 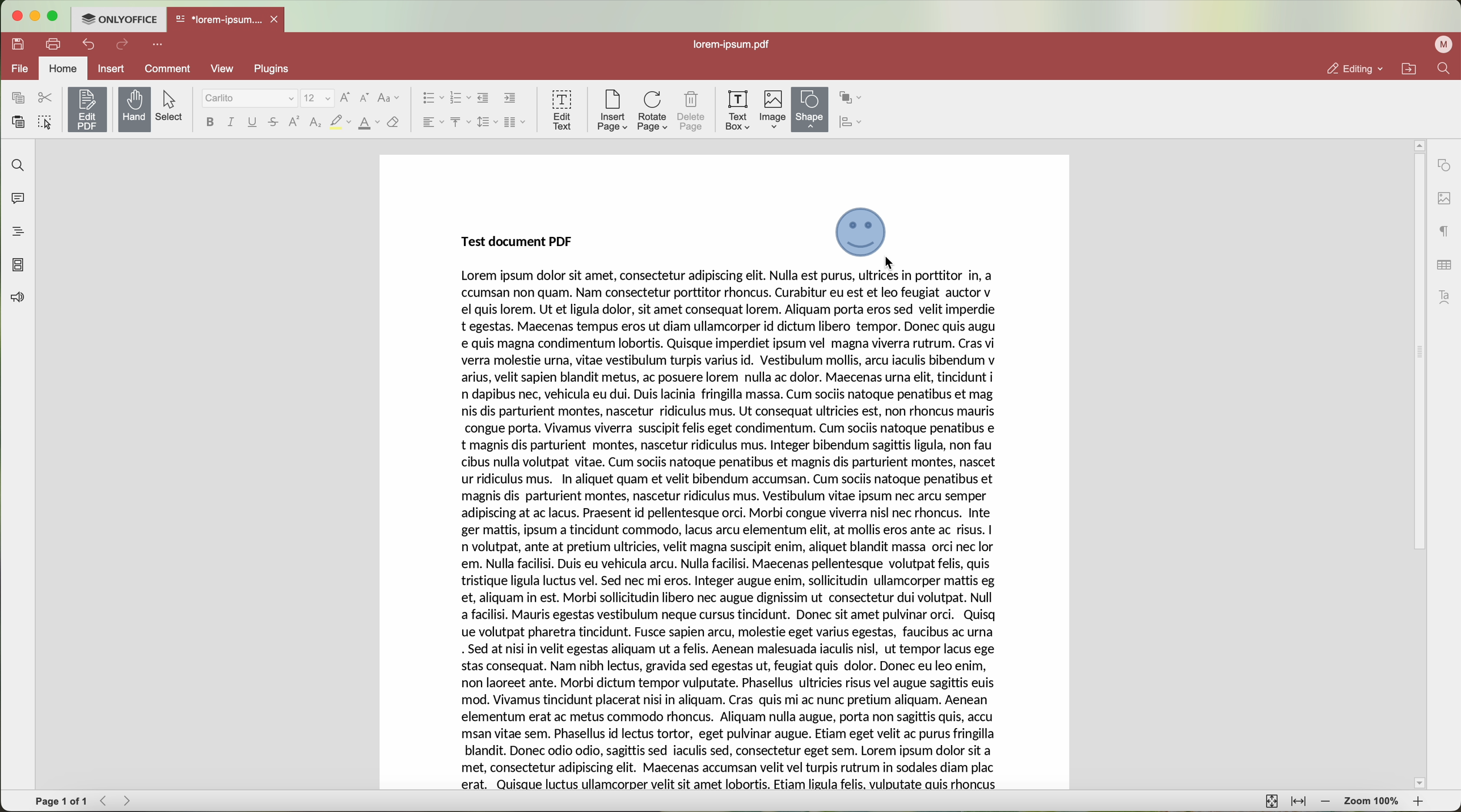 I want to click on undo, so click(x=90, y=44).